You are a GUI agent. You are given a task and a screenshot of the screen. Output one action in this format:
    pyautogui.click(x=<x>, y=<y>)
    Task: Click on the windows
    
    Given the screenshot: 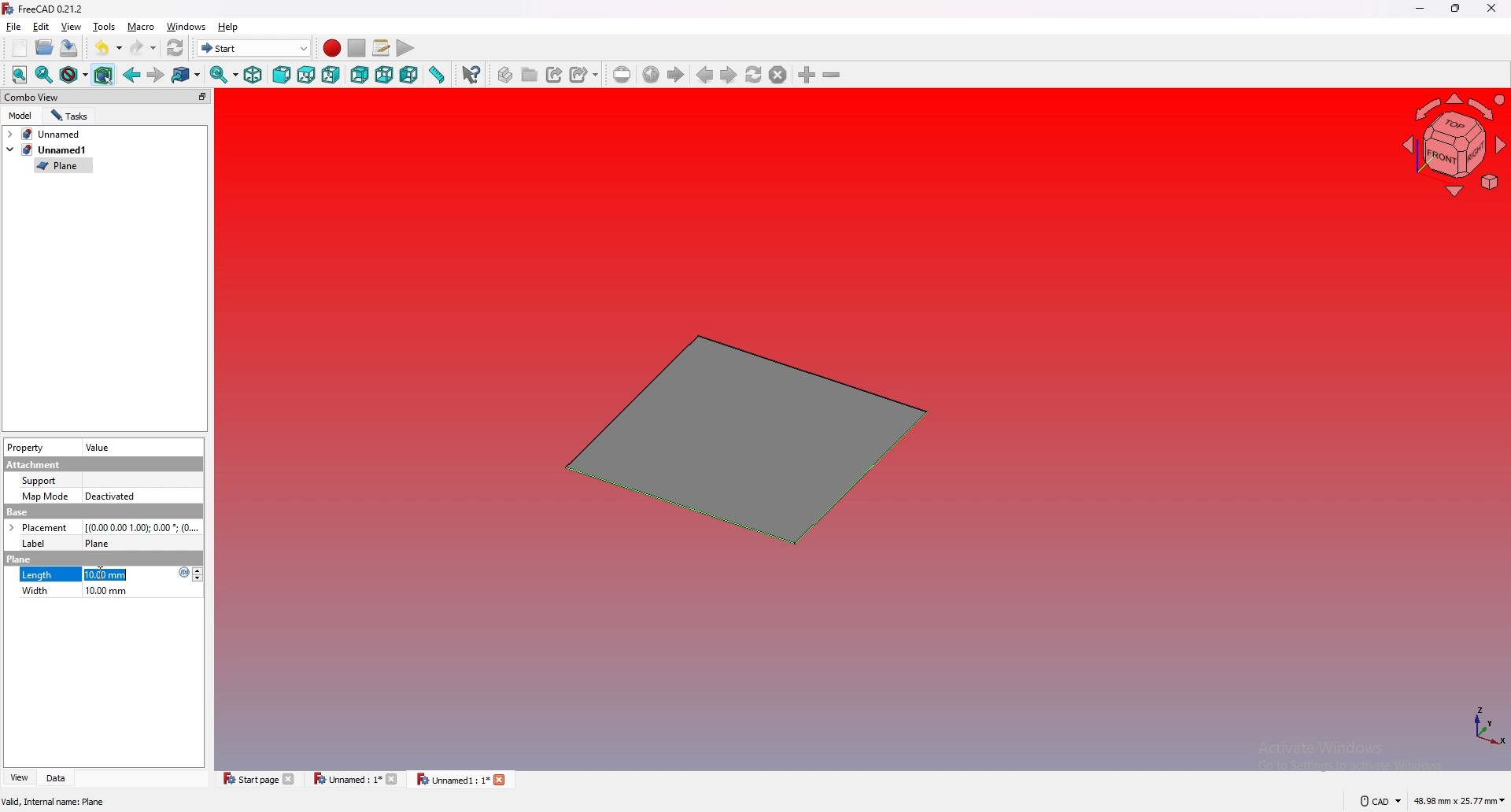 What is the action you would take?
    pyautogui.click(x=187, y=26)
    